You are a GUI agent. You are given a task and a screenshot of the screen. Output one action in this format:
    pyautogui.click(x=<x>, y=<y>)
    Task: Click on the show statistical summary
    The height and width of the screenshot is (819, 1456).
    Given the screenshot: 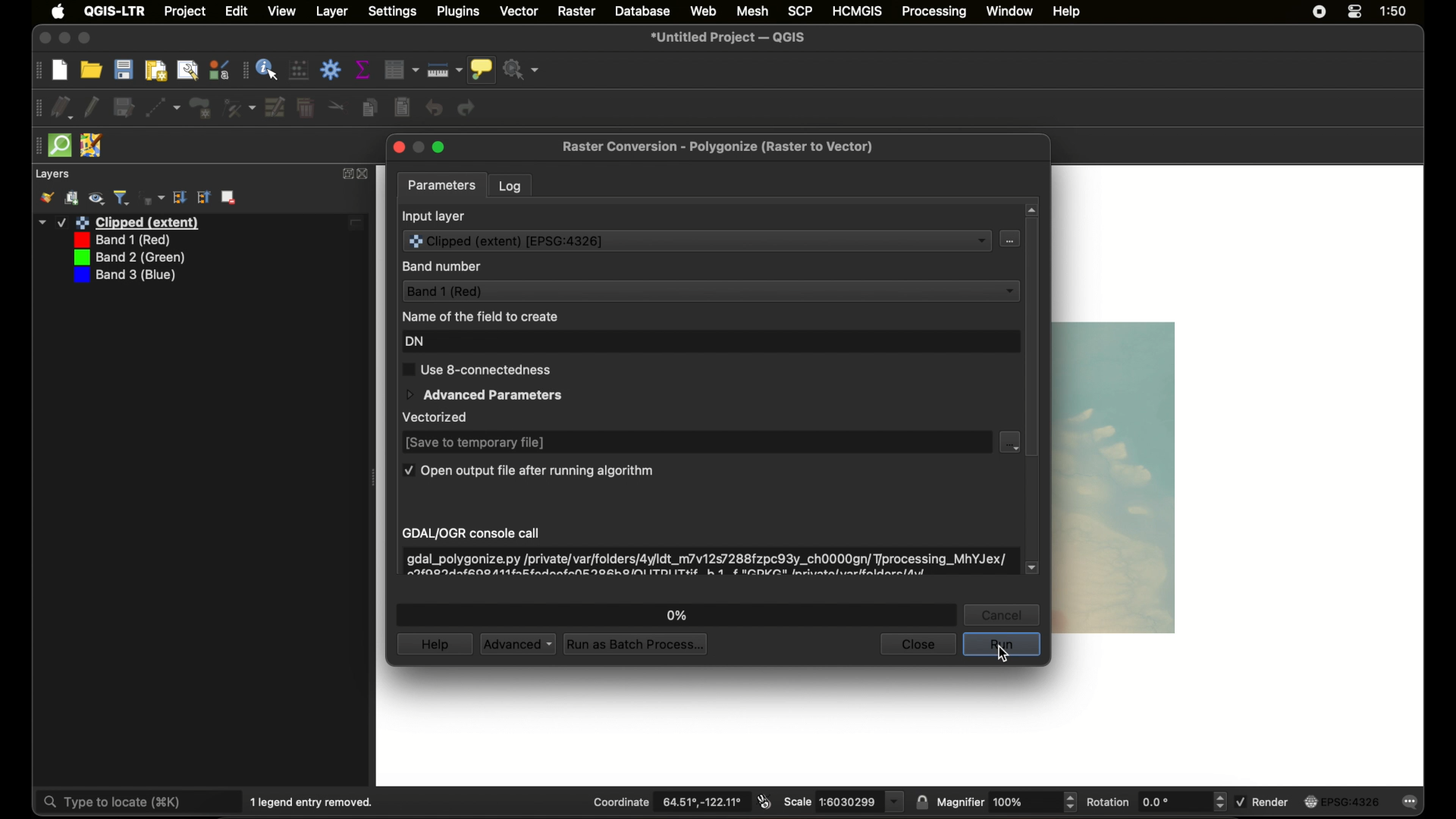 What is the action you would take?
    pyautogui.click(x=363, y=69)
    